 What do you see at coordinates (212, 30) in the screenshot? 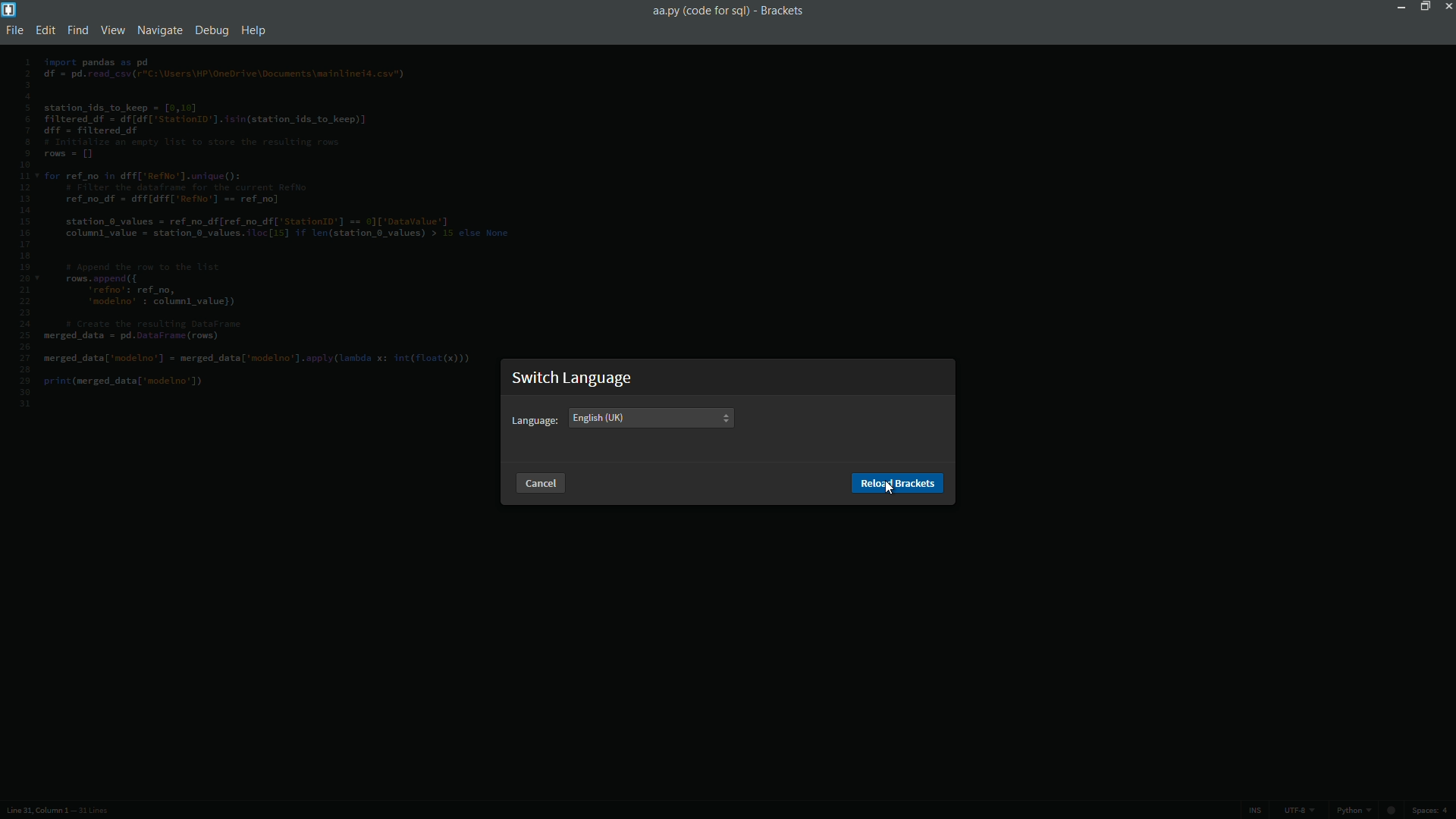
I see `debug menu` at bounding box center [212, 30].